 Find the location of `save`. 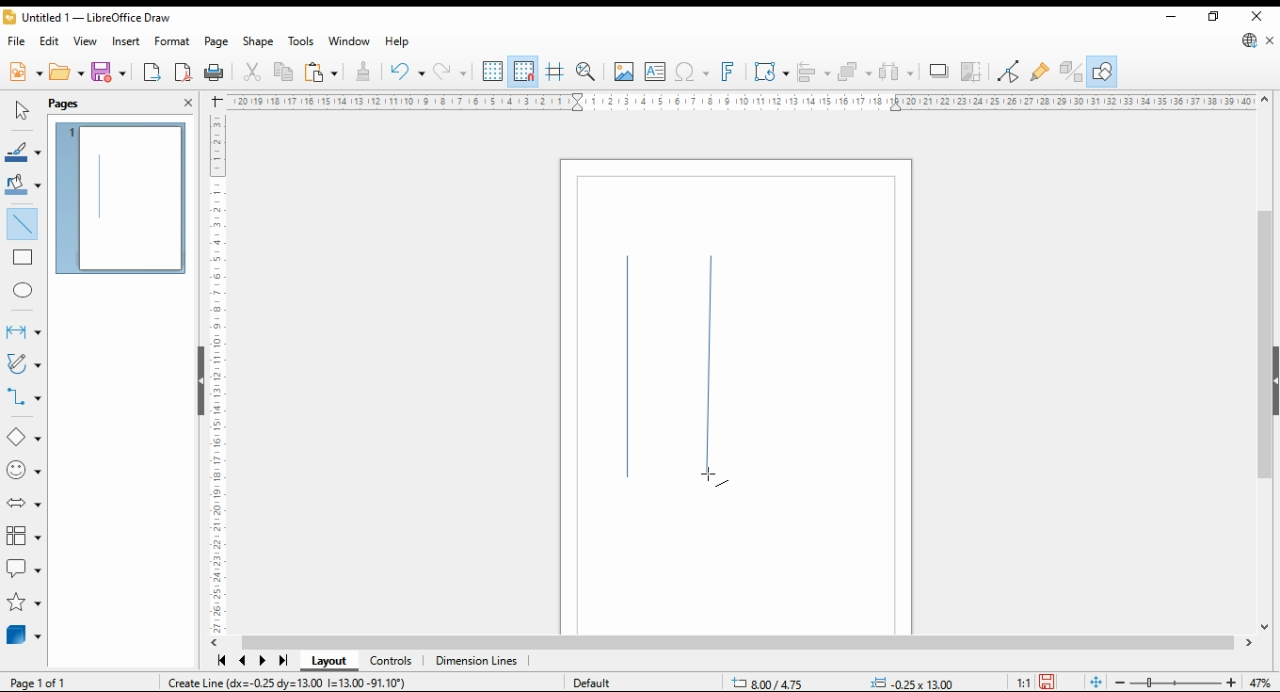

save is located at coordinates (1049, 681).